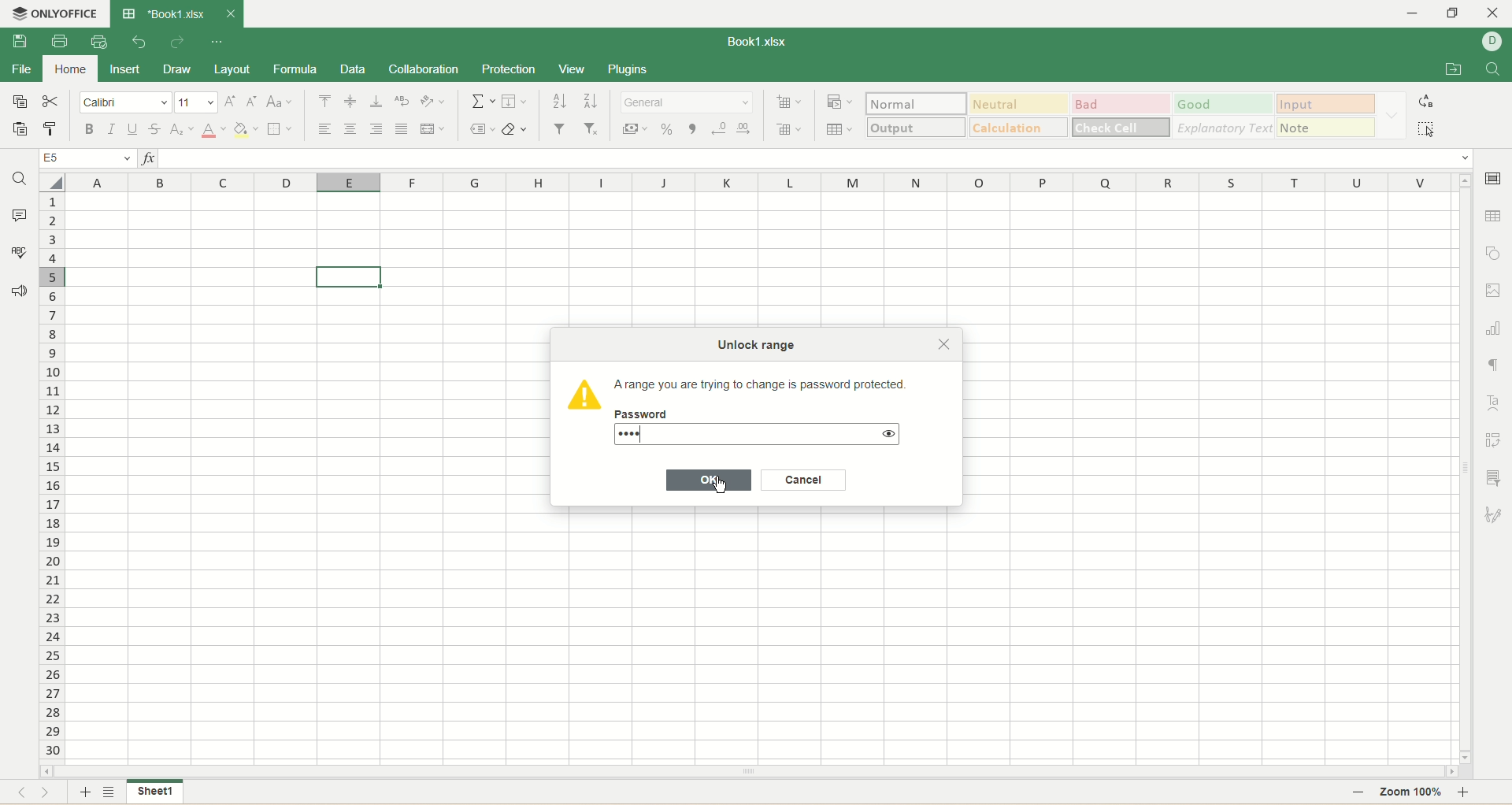  What do you see at coordinates (146, 158) in the screenshot?
I see `insert function` at bounding box center [146, 158].